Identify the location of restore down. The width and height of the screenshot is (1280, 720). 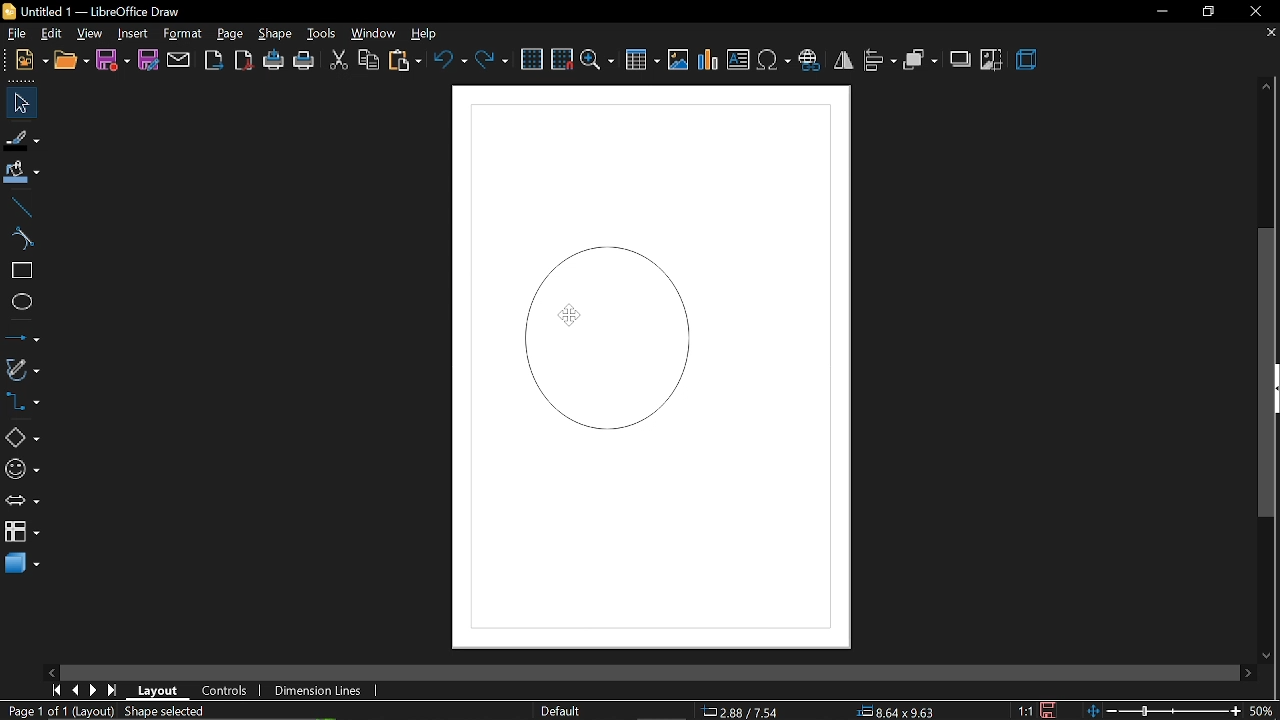
(1206, 13).